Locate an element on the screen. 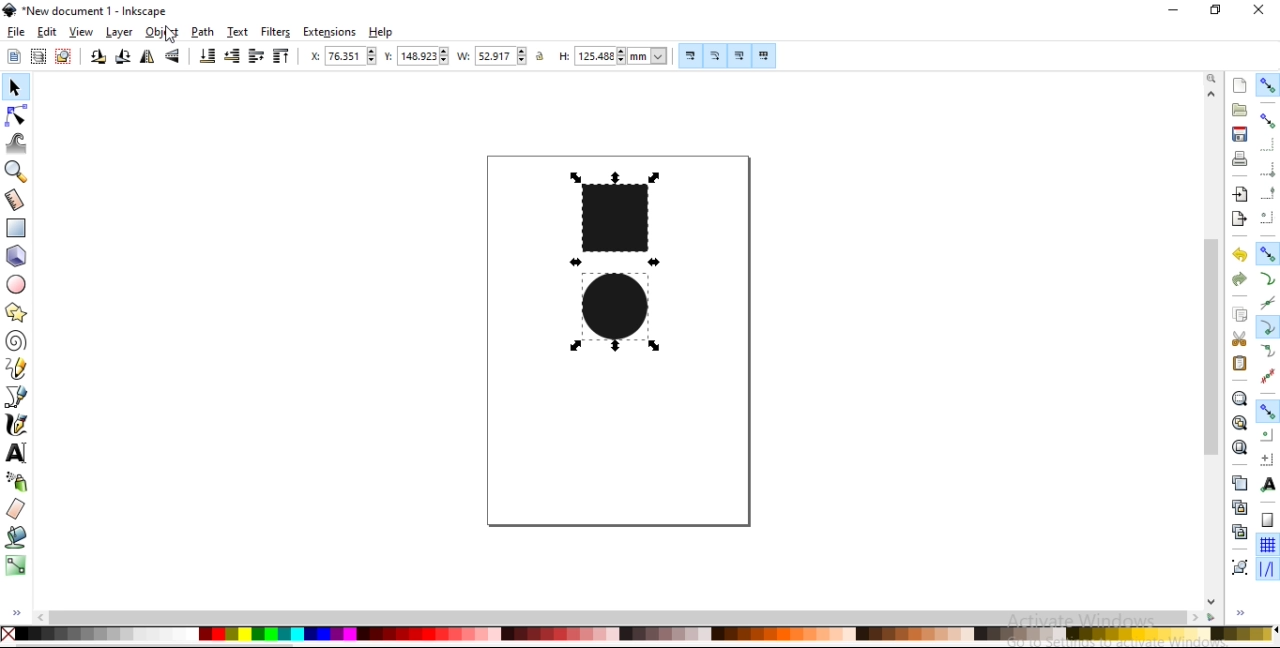 The image size is (1280, 648). snap centers of bounding boxes is located at coordinates (1265, 216).